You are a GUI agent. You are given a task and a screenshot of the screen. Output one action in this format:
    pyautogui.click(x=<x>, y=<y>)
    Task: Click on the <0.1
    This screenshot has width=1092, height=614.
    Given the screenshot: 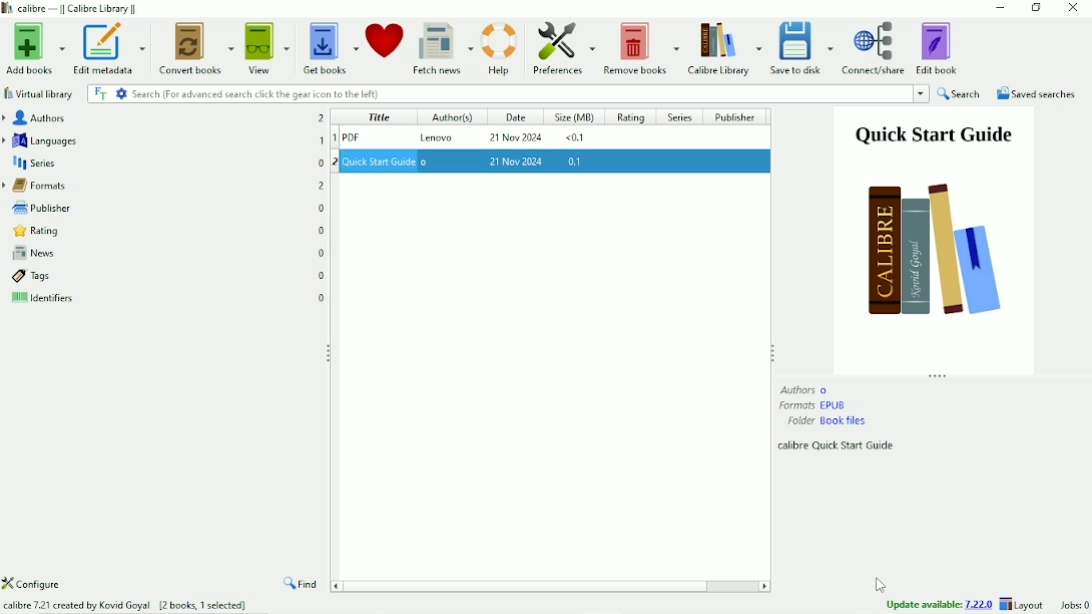 What is the action you would take?
    pyautogui.click(x=574, y=139)
    